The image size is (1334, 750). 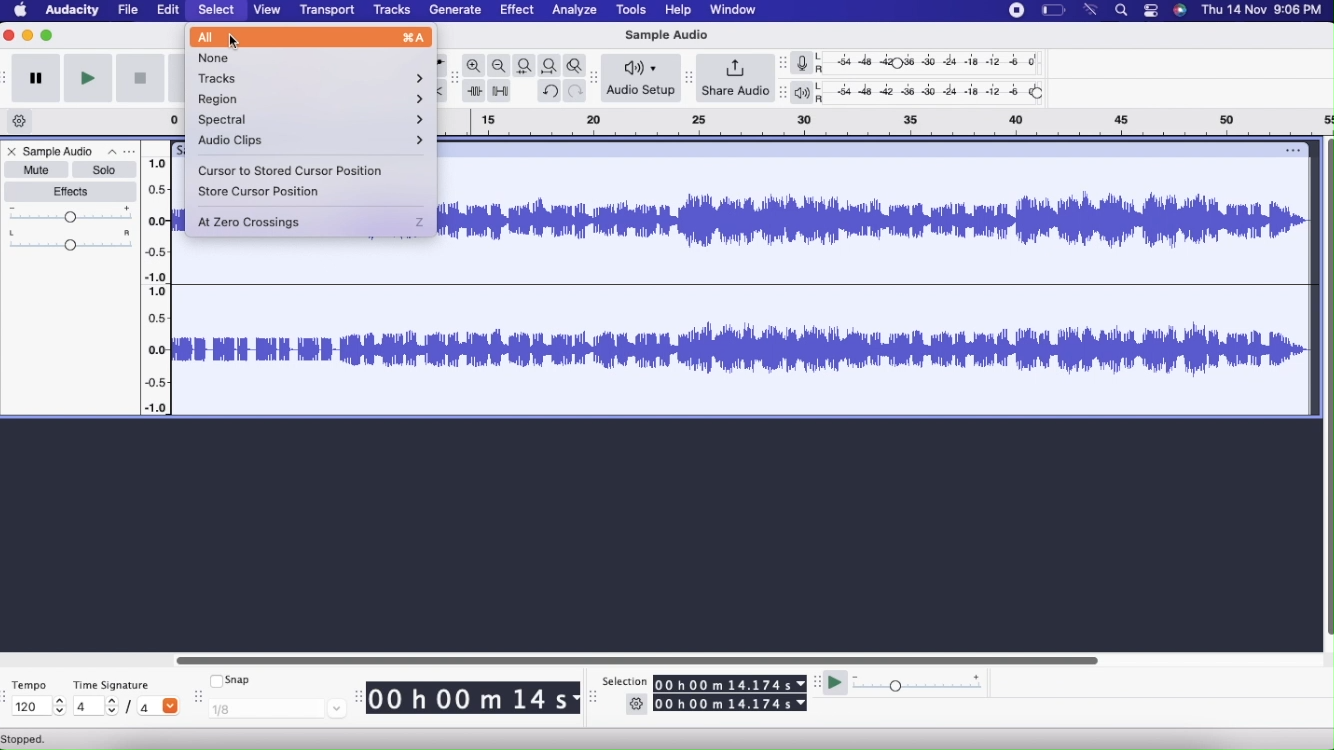 What do you see at coordinates (312, 141) in the screenshot?
I see `Audio Clips` at bounding box center [312, 141].